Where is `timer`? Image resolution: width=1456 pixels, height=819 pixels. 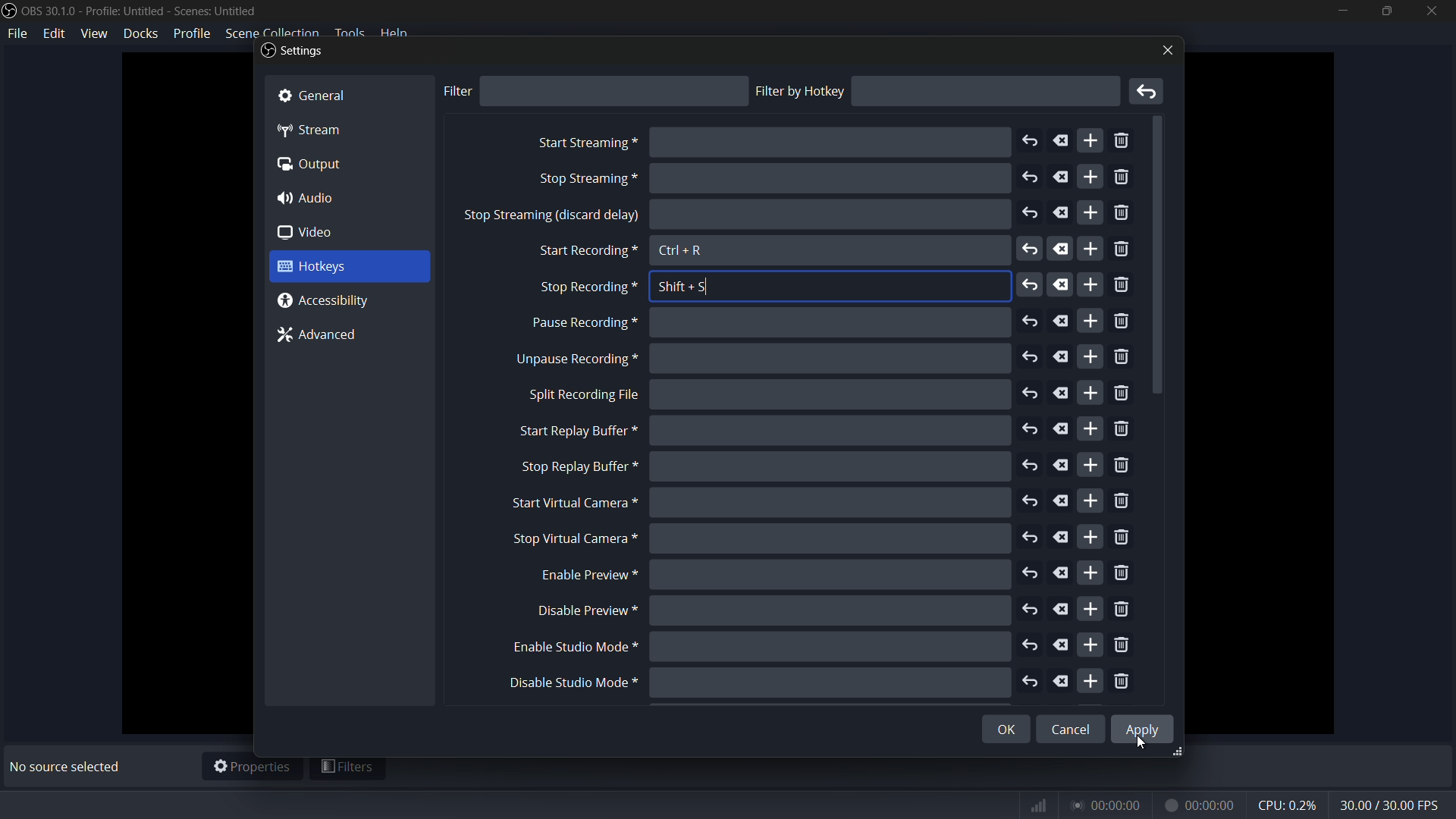
timer is located at coordinates (1132, 805).